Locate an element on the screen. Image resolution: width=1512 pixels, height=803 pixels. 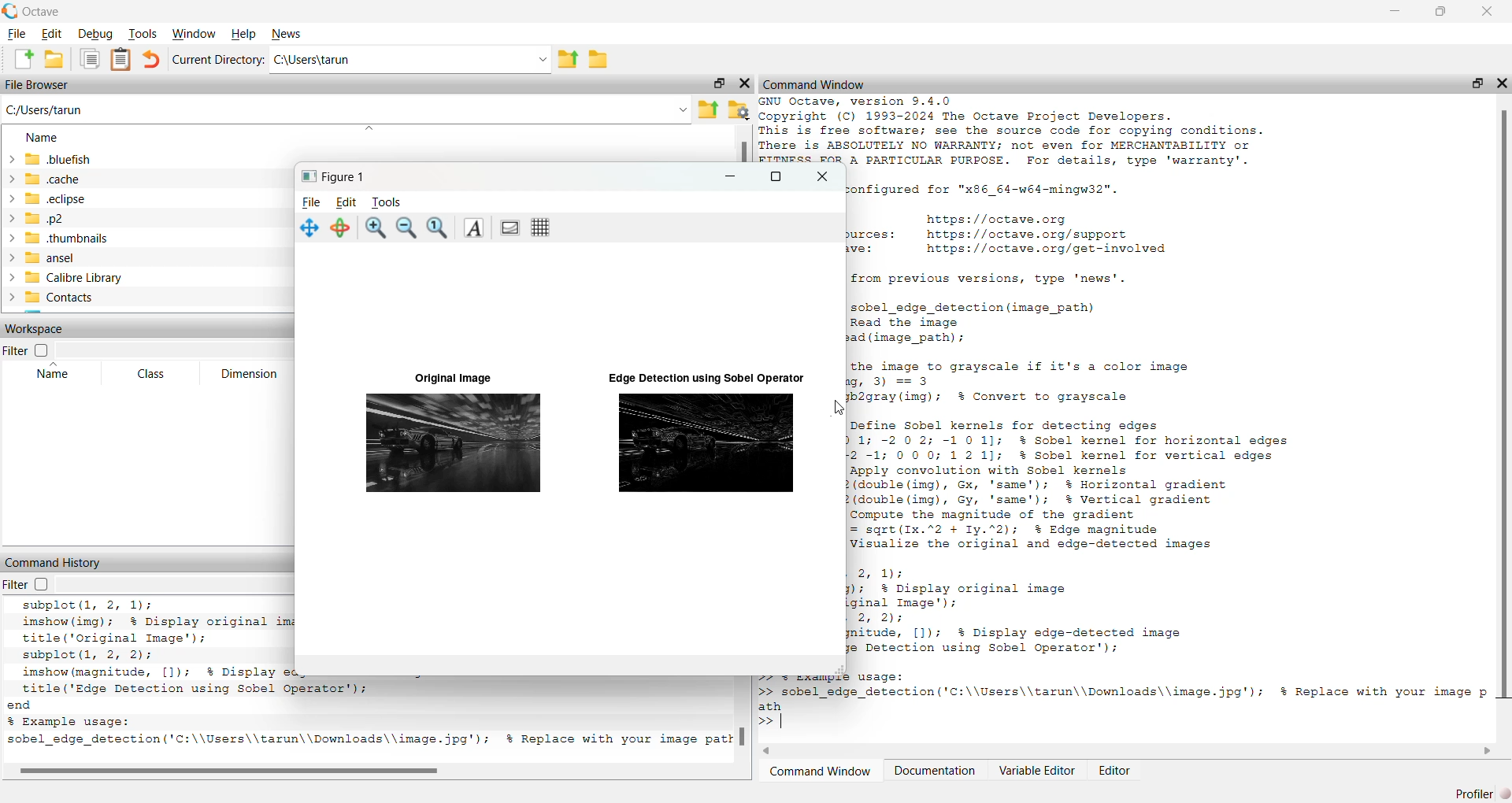
minimize is located at coordinates (726, 179).